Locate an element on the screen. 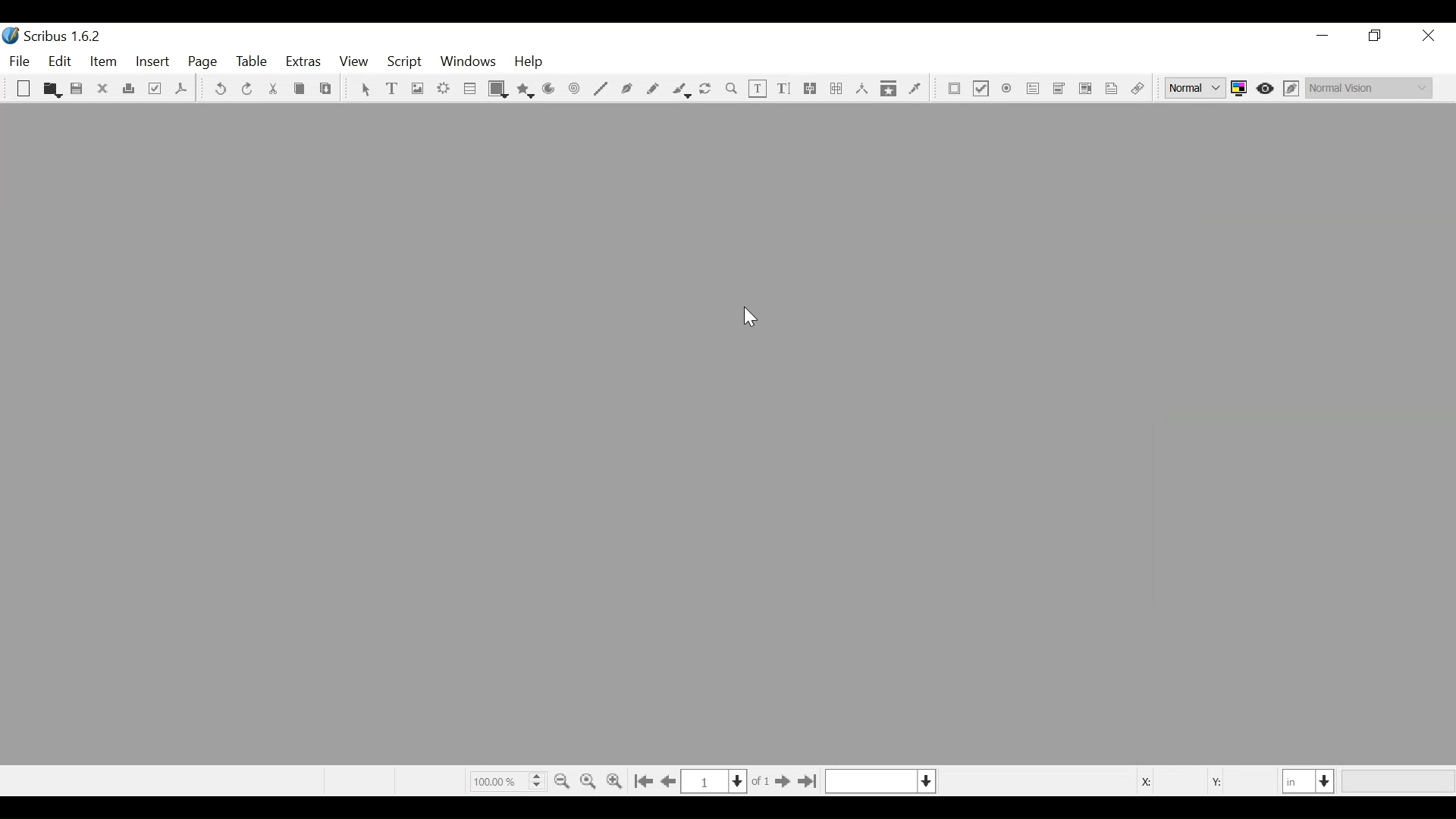 The width and height of the screenshot is (1456, 819). Pdf List Box is located at coordinates (1086, 88).